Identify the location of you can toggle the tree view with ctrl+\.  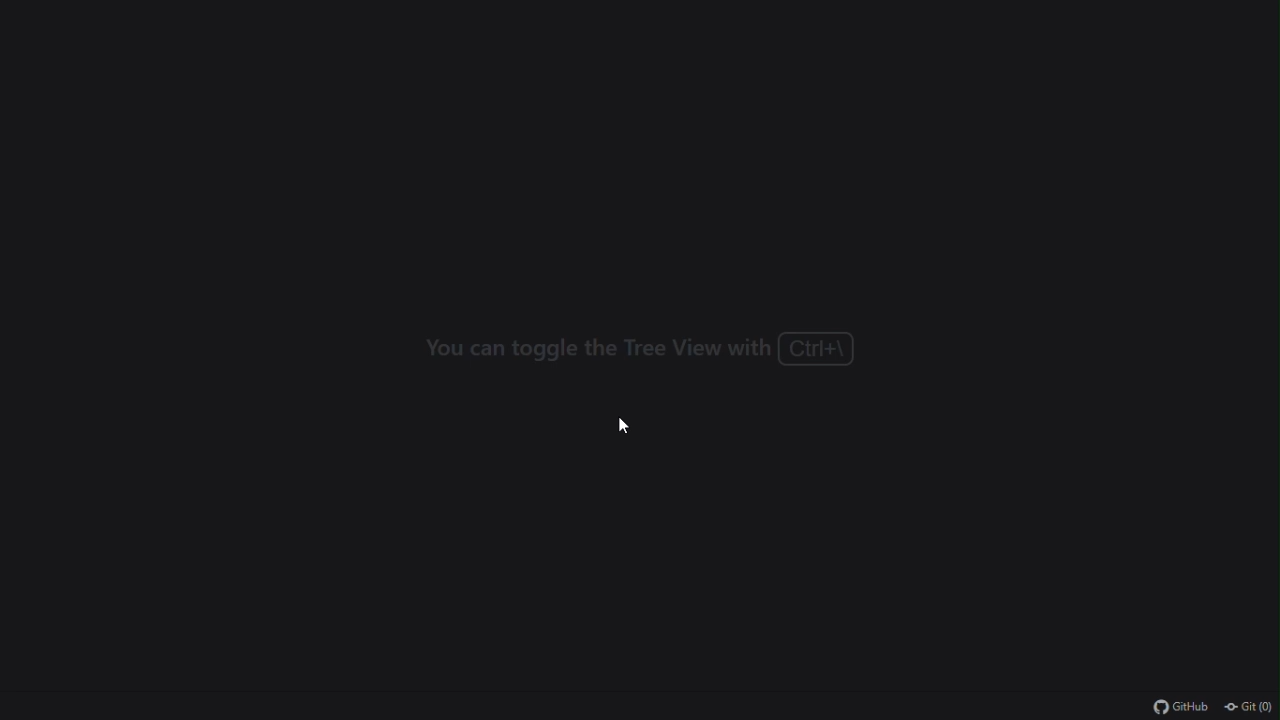
(656, 346).